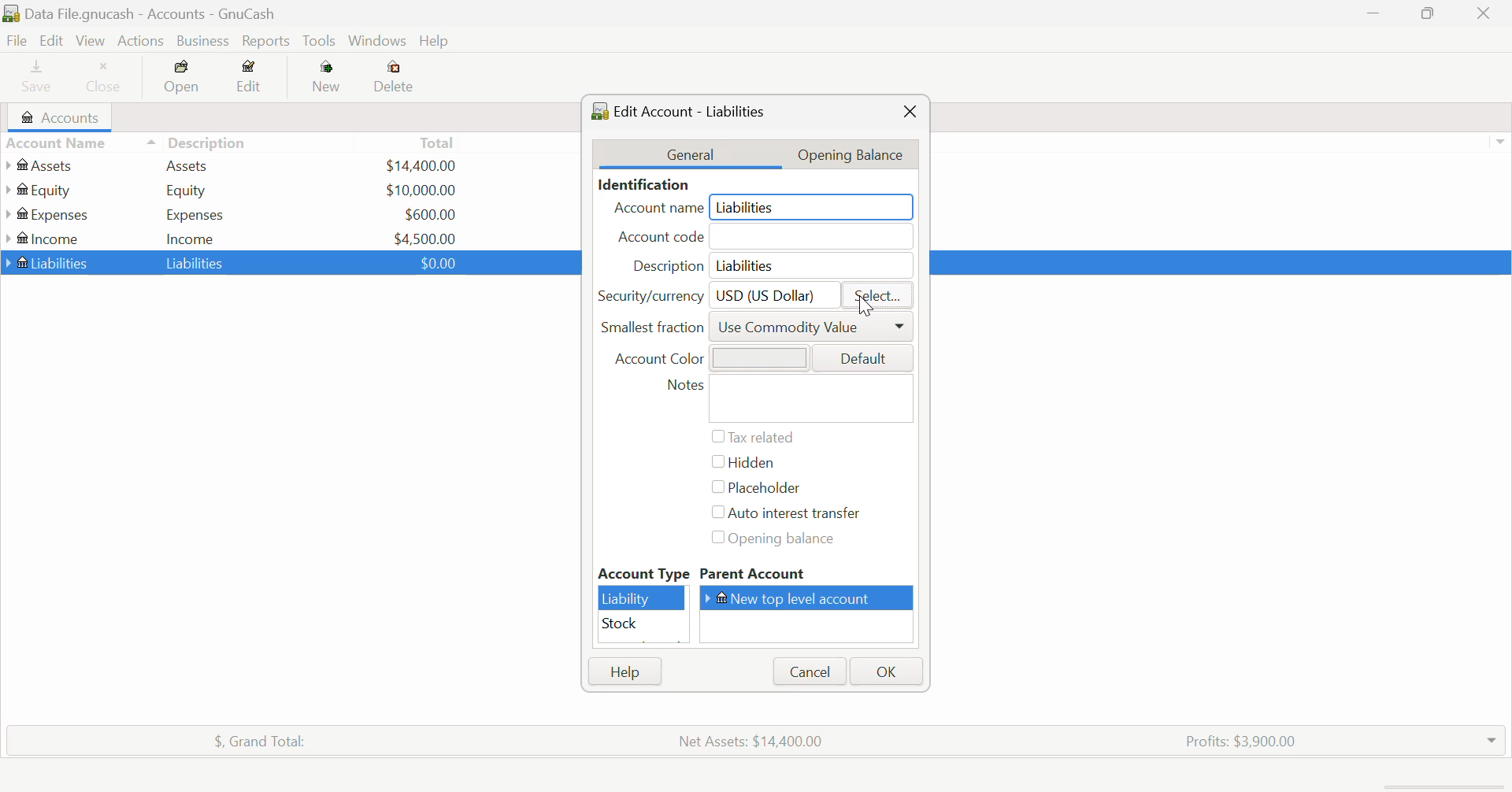 This screenshot has width=1512, height=792. Describe the element at coordinates (684, 109) in the screenshot. I see `Edit Account - Liabilities` at that location.